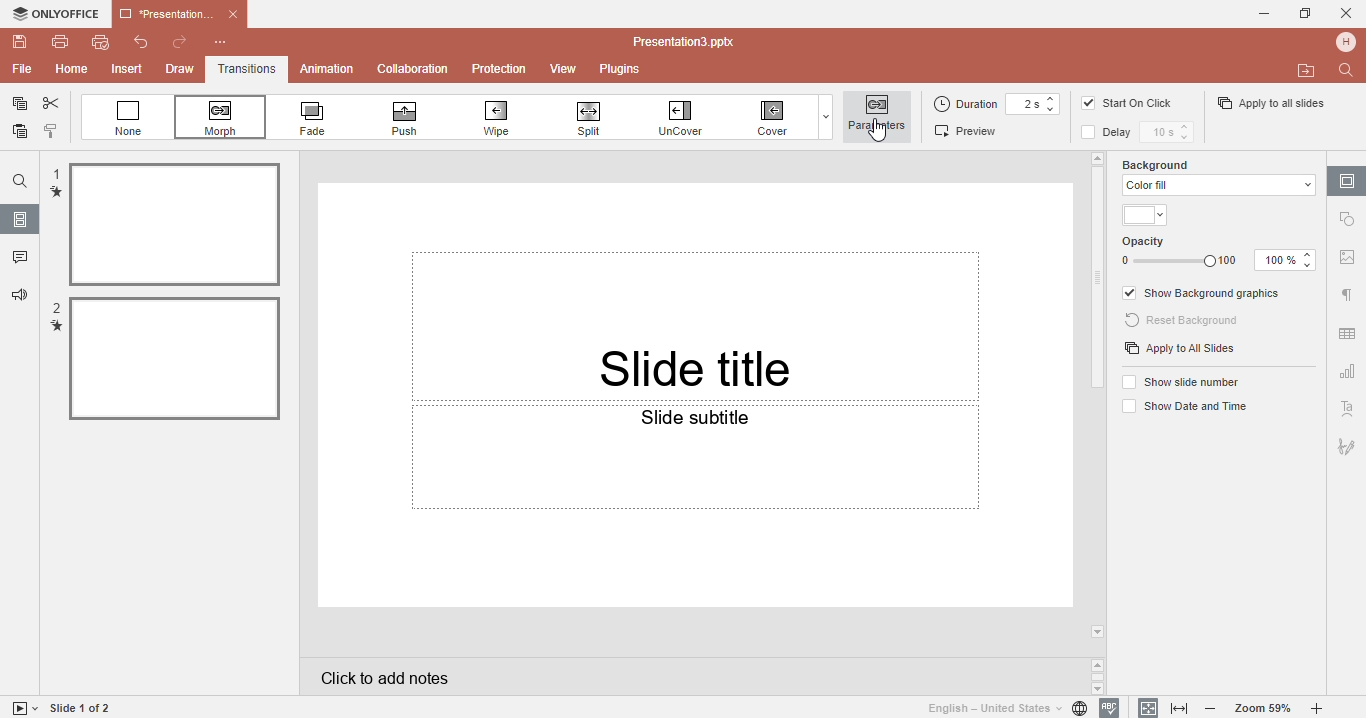 The image size is (1366, 718). Describe the element at coordinates (17, 42) in the screenshot. I see `Save` at that location.